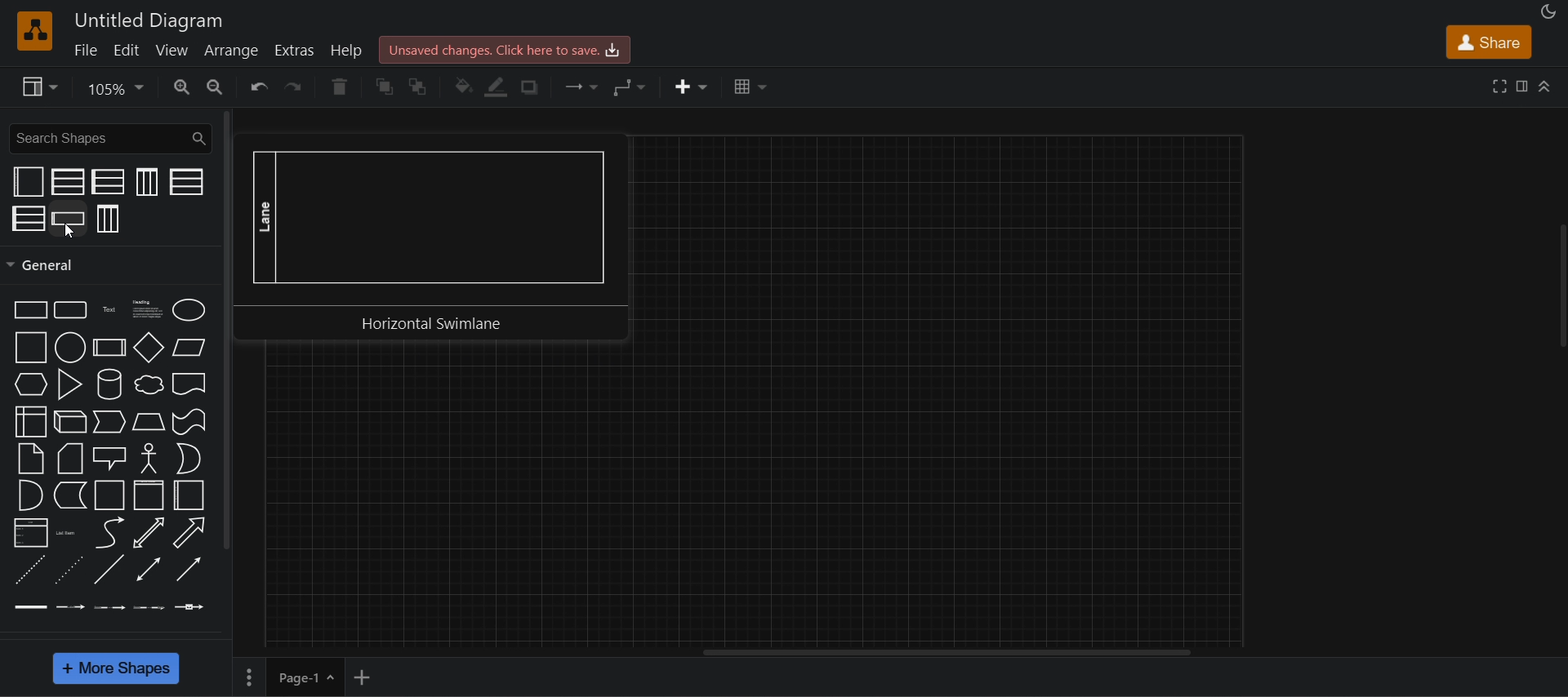 This screenshot has height=697, width=1568. Describe the element at coordinates (369, 675) in the screenshot. I see `add new page` at that location.